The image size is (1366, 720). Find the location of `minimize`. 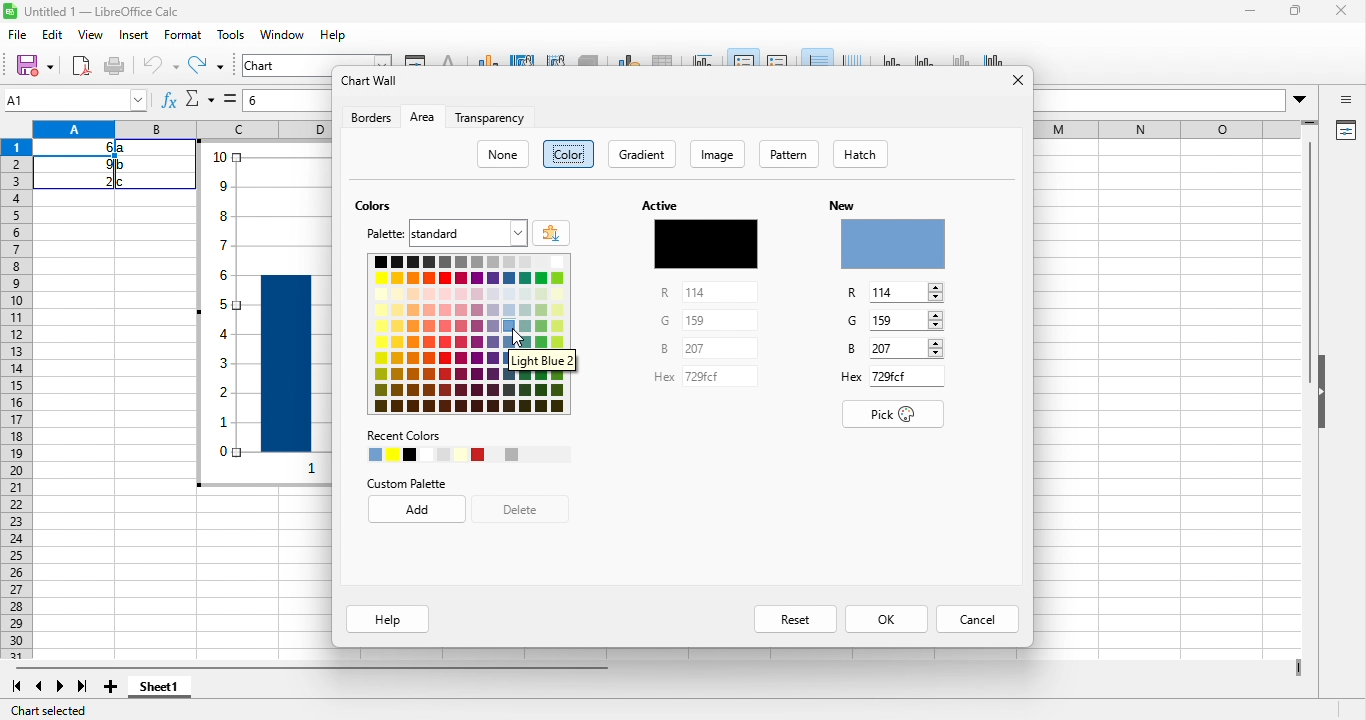

minimize is located at coordinates (1250, 10).